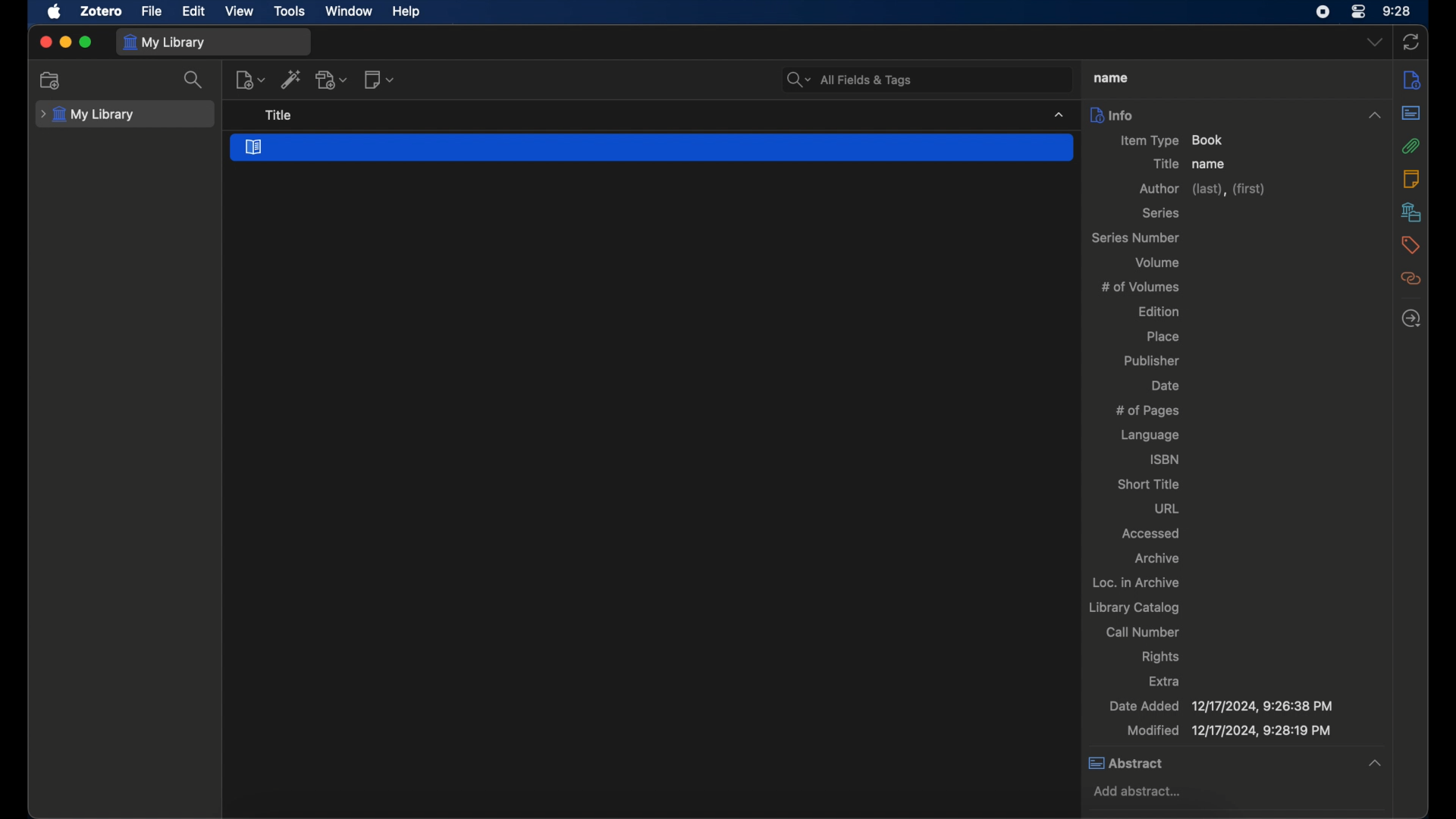 This screenshot has width=1456, height=819. Describe the element at coordinates (1357, 12) in the screenshot. I see `control center` at that location.